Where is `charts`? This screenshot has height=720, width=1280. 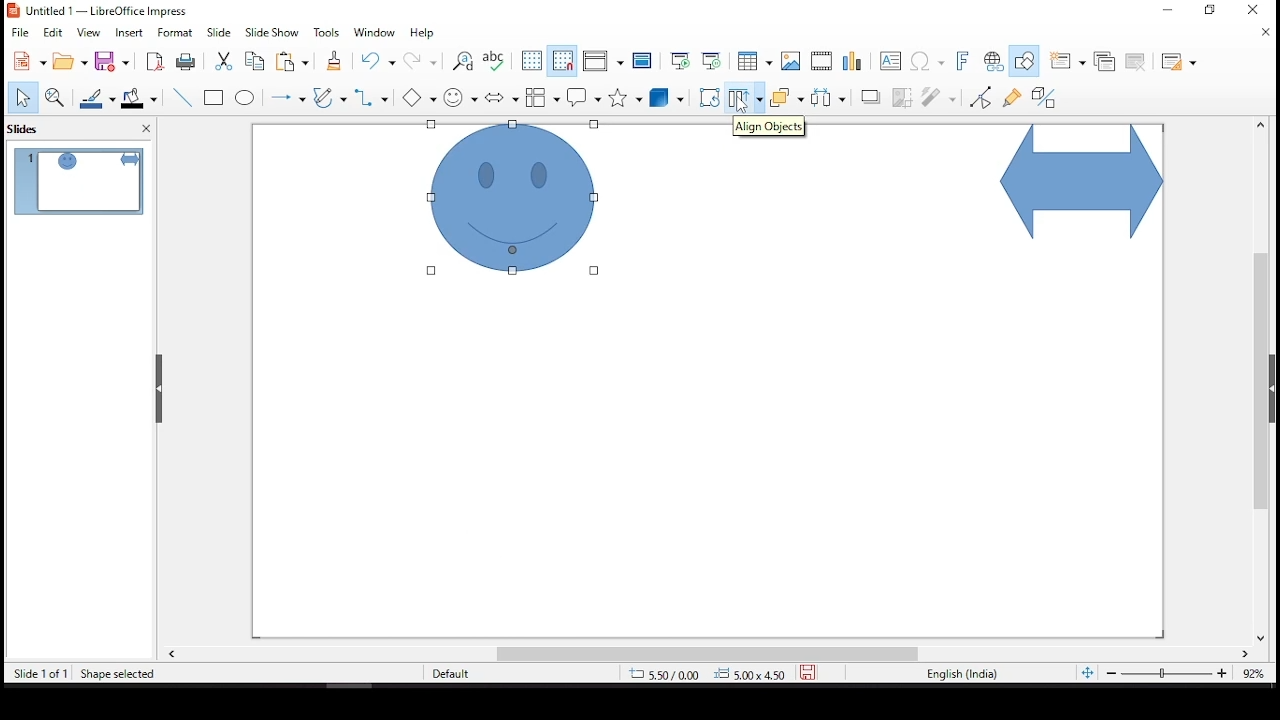 charts is located at coordinates (855, 63).